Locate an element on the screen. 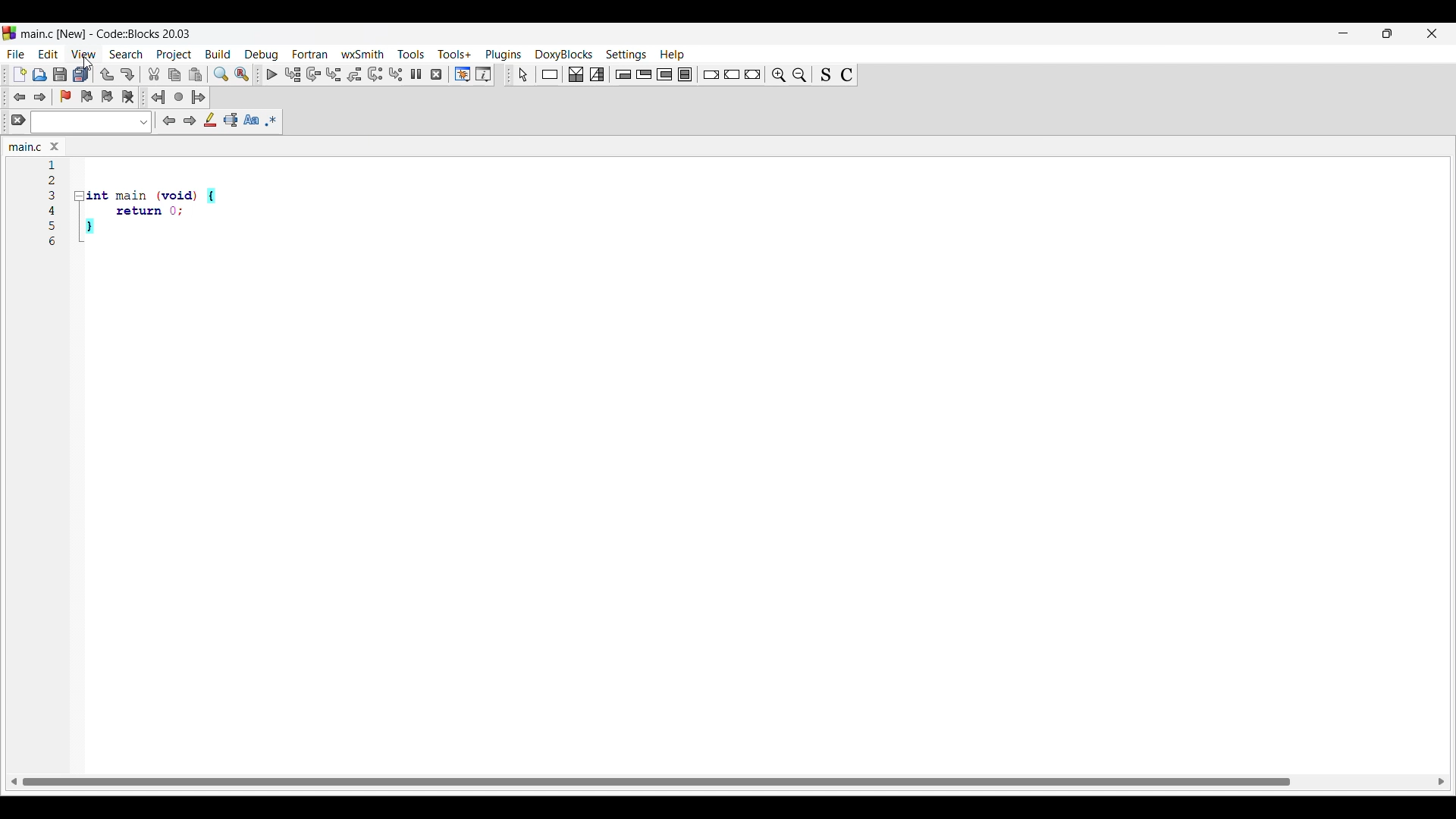 The image size is (1456, 819). Debug/Continue is located at coordinates (271, 74).